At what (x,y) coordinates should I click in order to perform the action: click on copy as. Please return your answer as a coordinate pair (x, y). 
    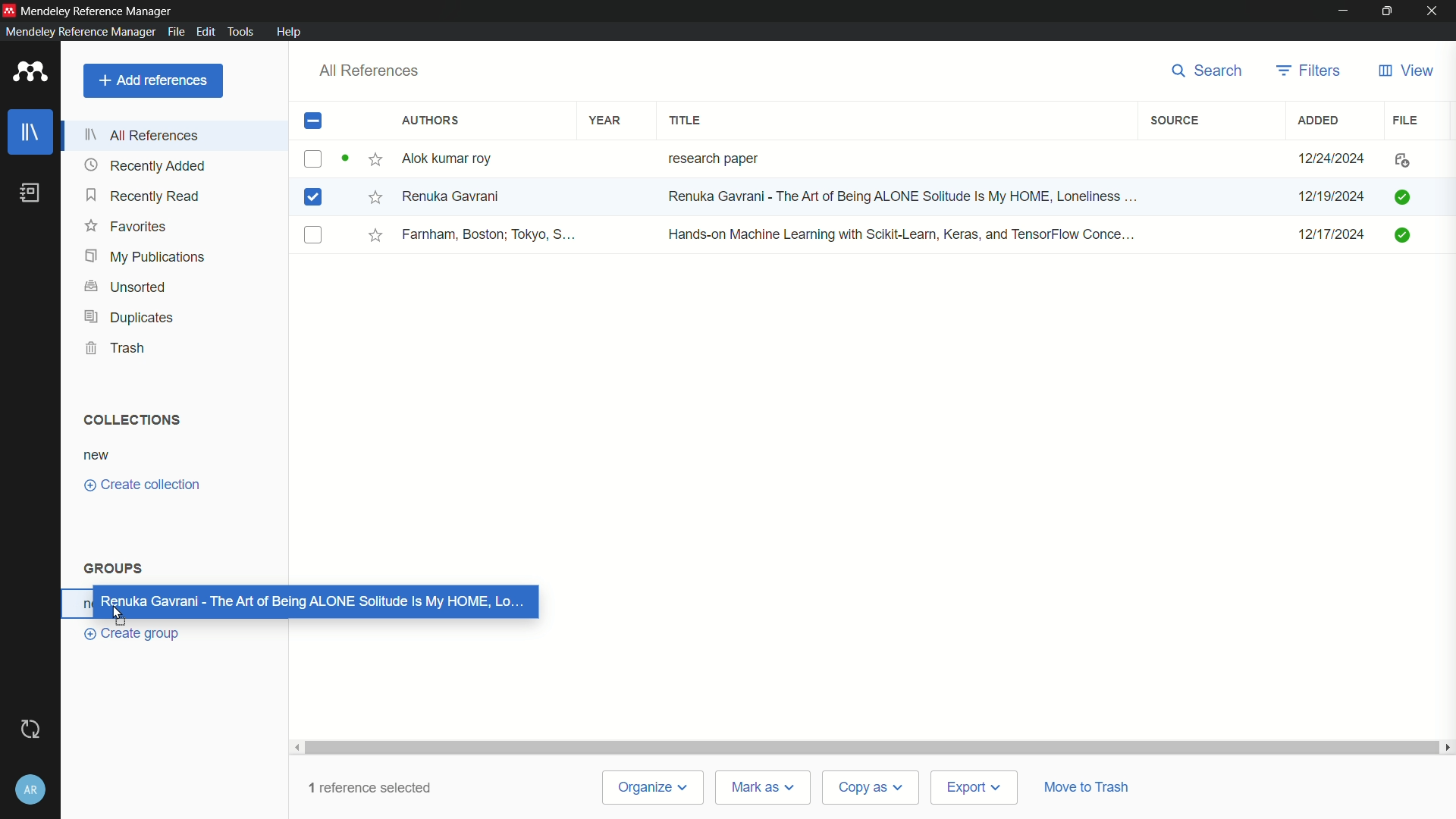
    Looking at the image, I should click on (869, 789).